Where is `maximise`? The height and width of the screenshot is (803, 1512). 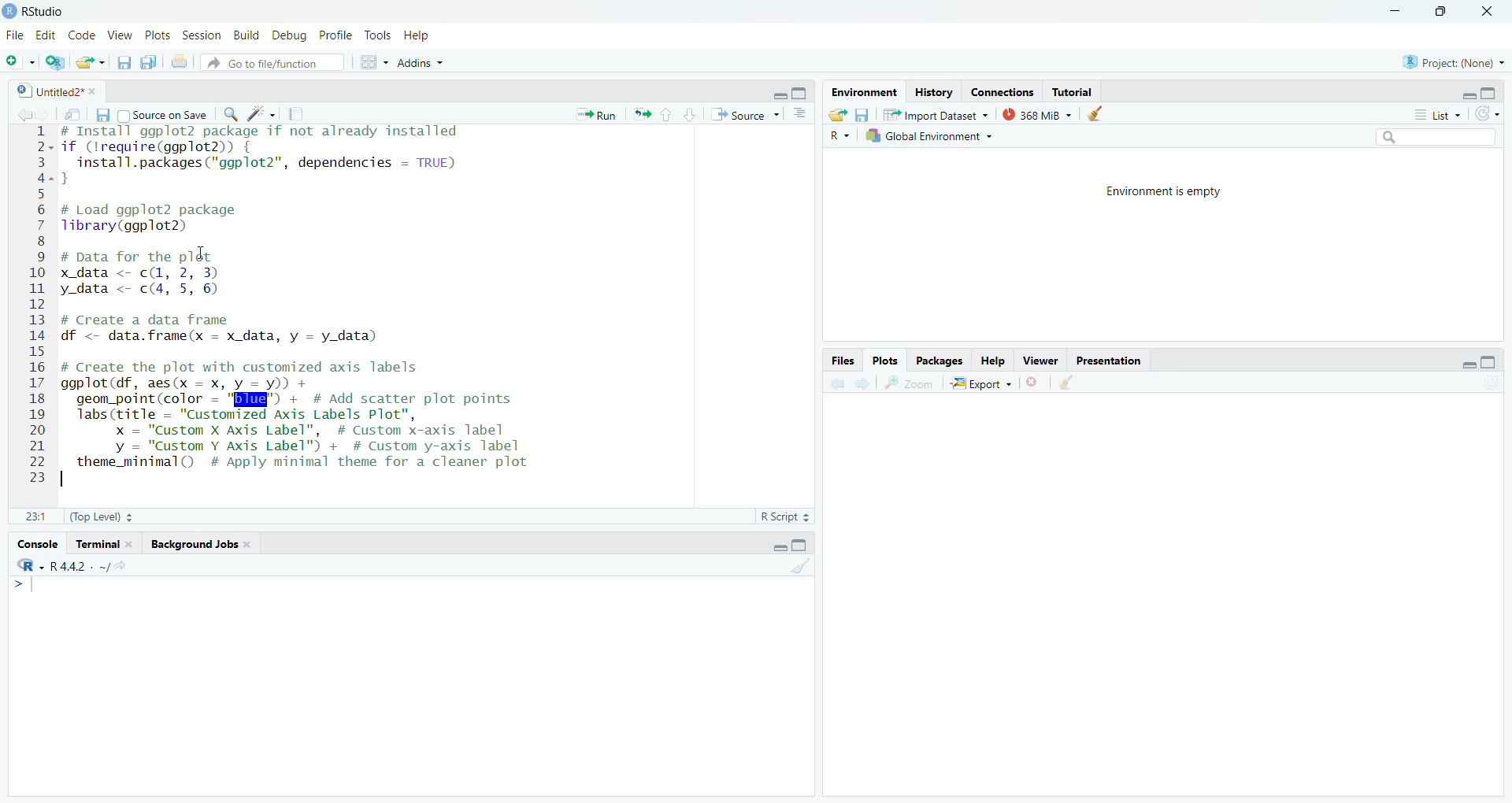
maximise is located at coordinates (1444, 12).